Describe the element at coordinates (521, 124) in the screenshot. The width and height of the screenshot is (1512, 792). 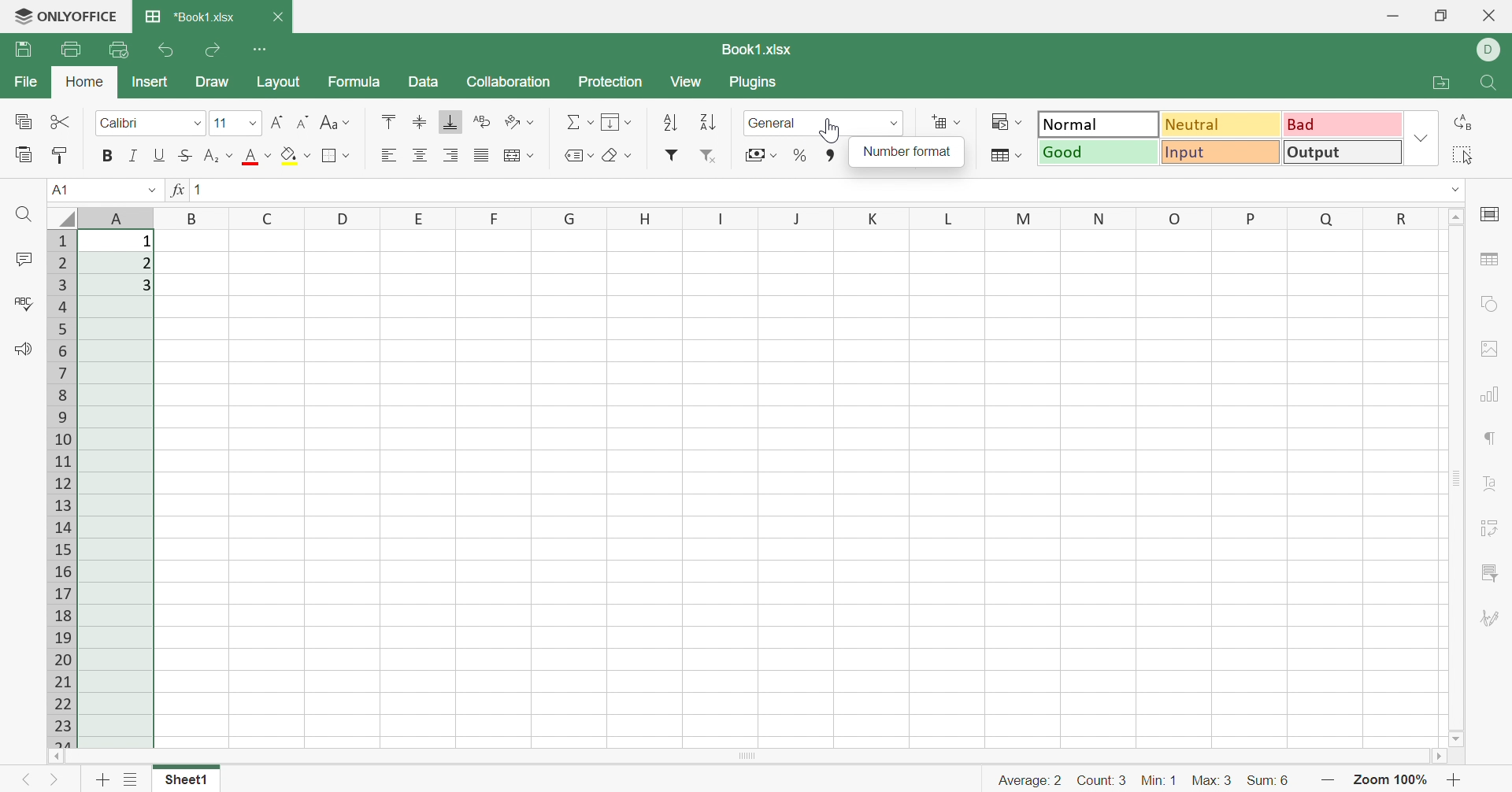
I see `Orientation` at that location.